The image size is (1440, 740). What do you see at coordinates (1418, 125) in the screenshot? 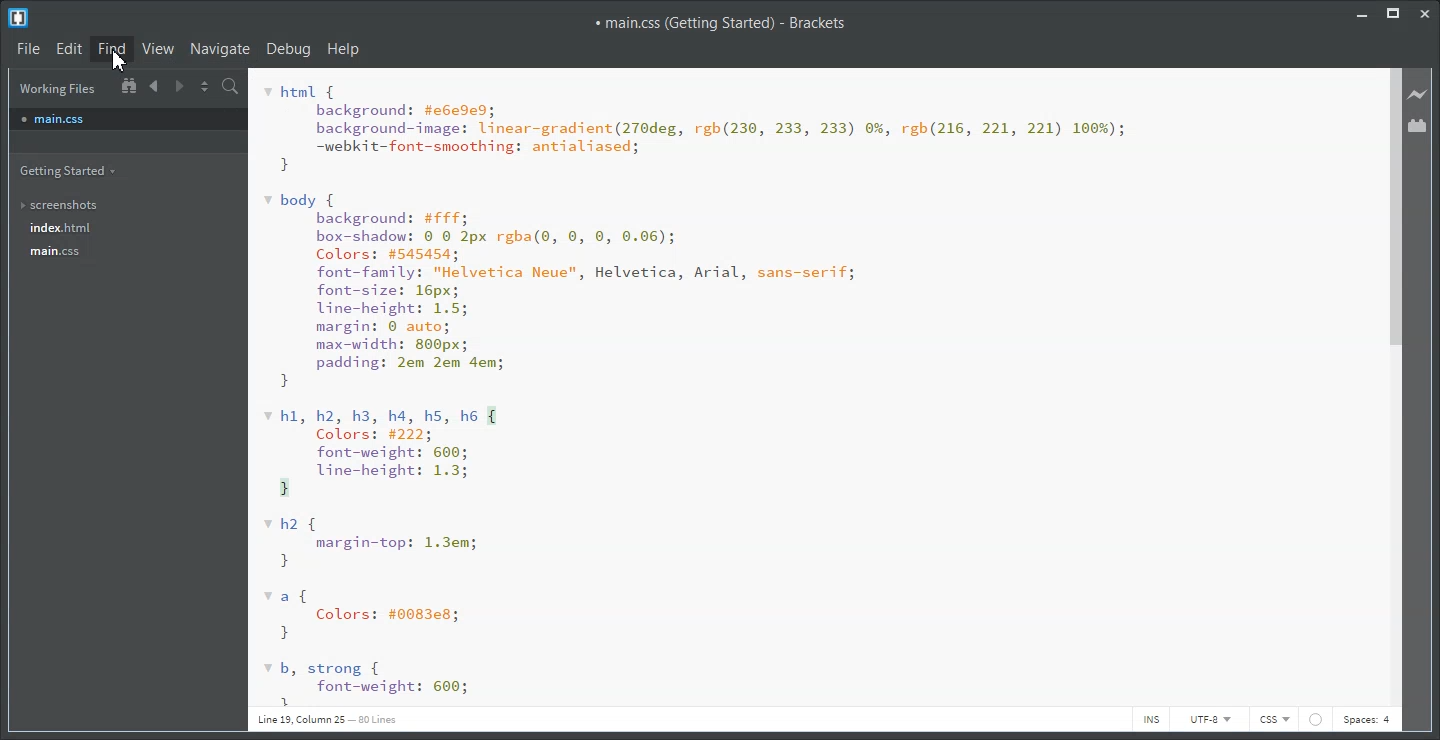
I see `Extension Manager` at bounding box center [1418, 125].